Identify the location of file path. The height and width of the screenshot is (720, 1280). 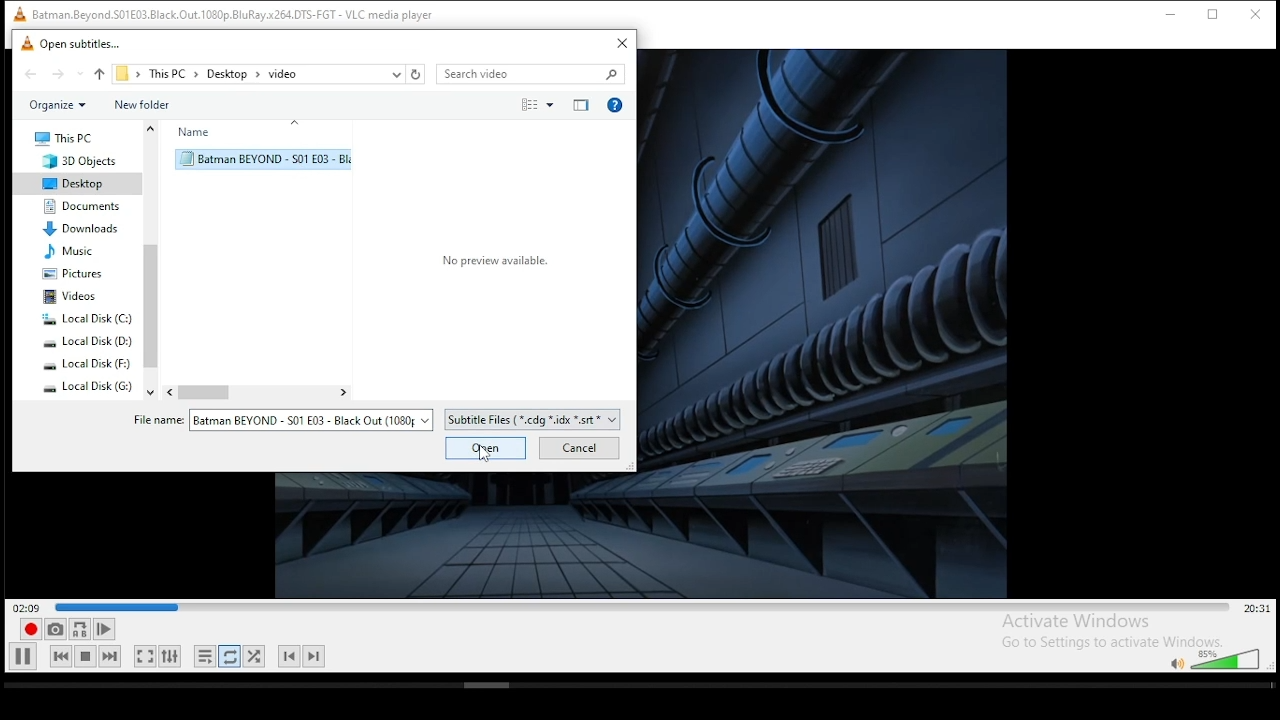
(127, 73).